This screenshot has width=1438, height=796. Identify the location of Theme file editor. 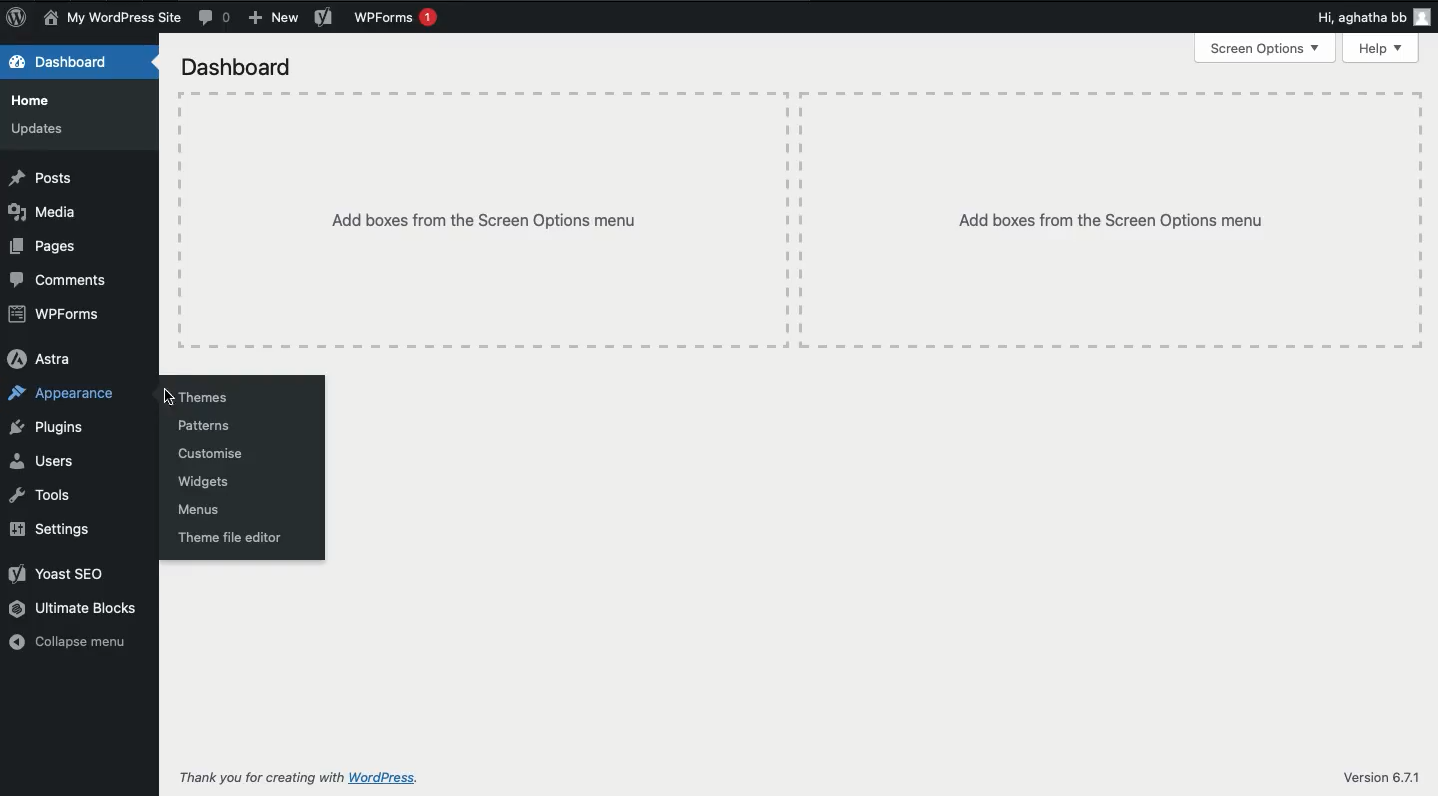
(228, 537).